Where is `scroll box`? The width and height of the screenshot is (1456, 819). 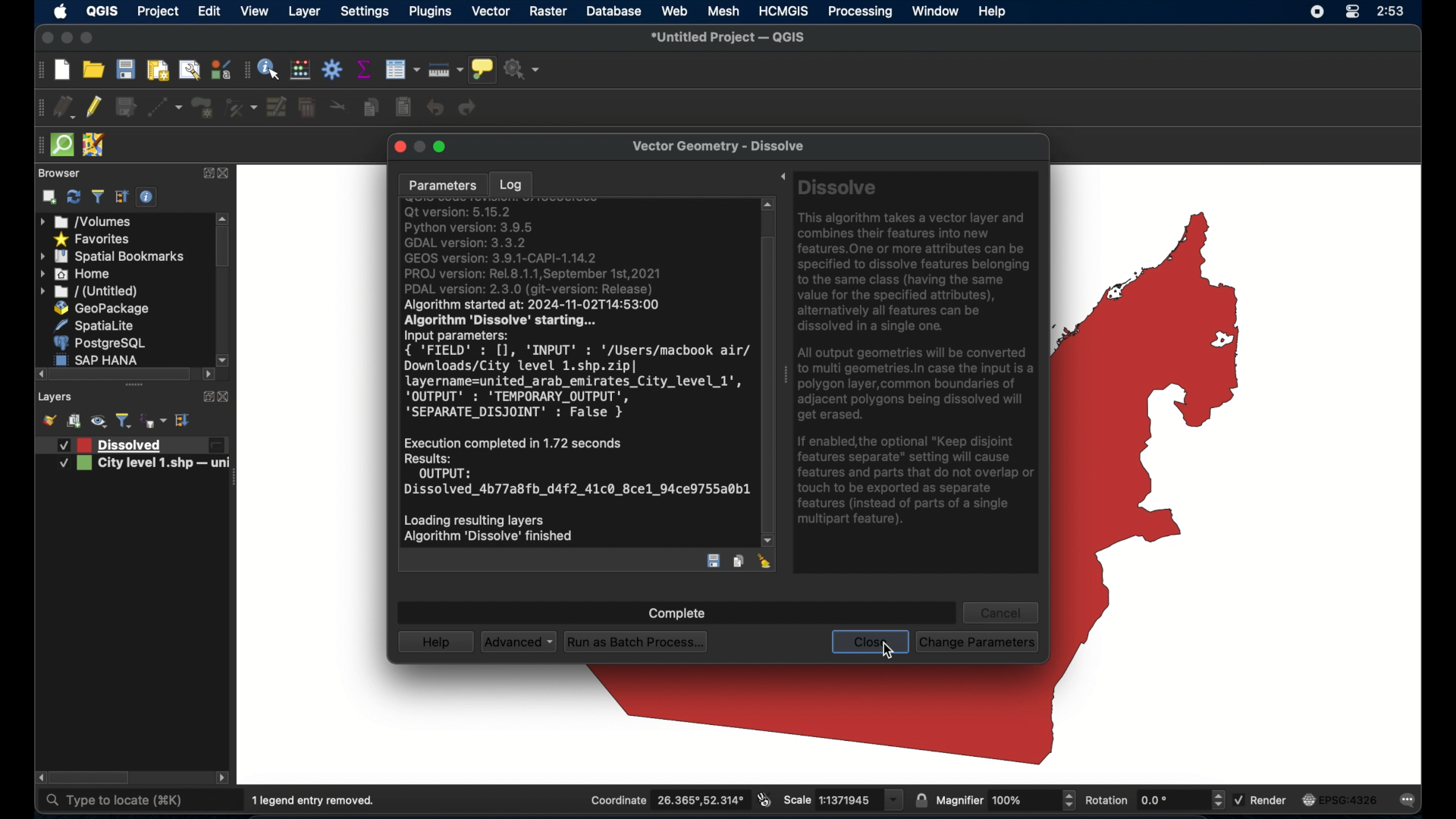
scroll box is located at coordinates (92, 778).